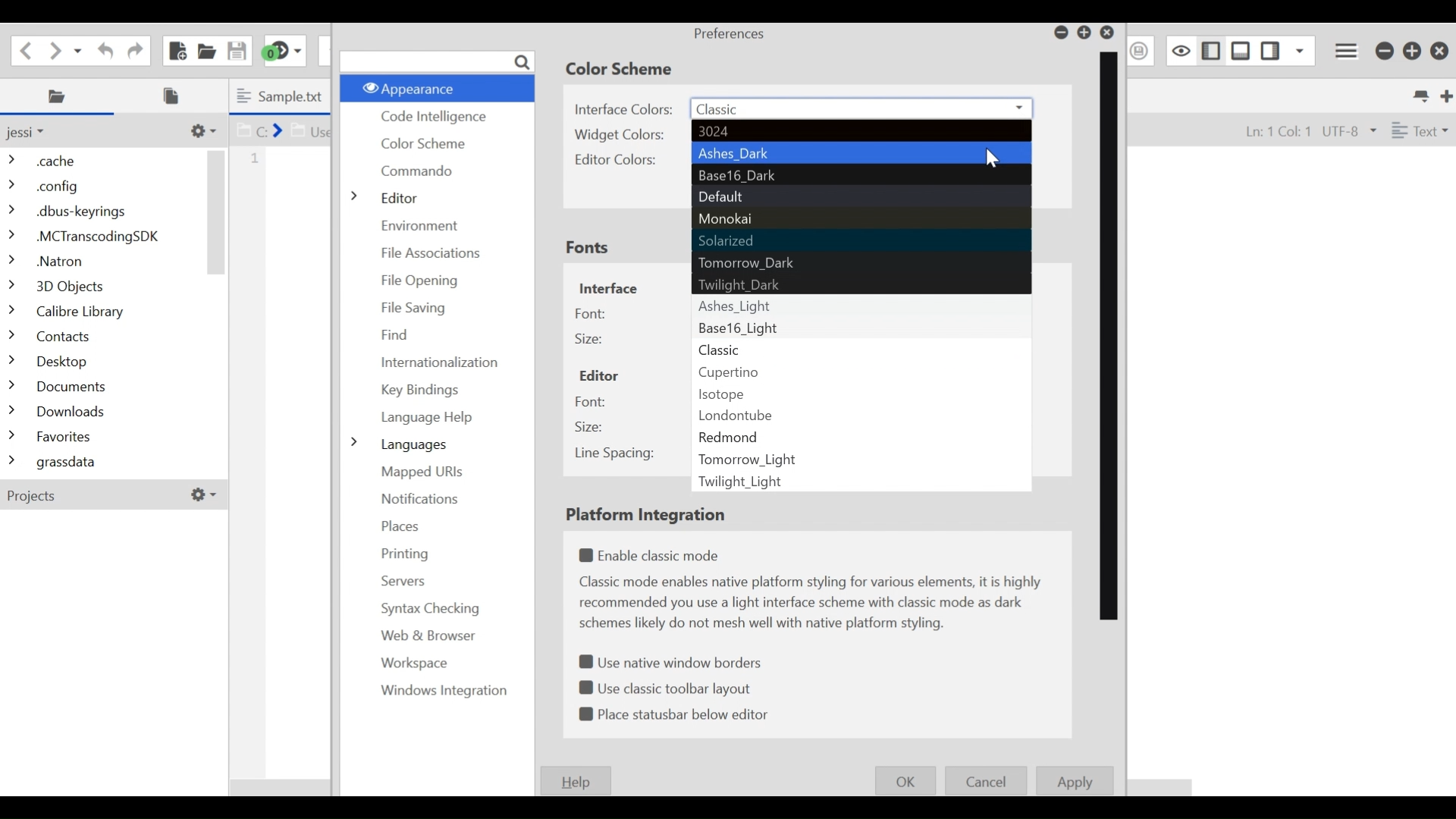  Describe the element at coordinates (861, 413) in the screenshot. I see `londontube` at that location.